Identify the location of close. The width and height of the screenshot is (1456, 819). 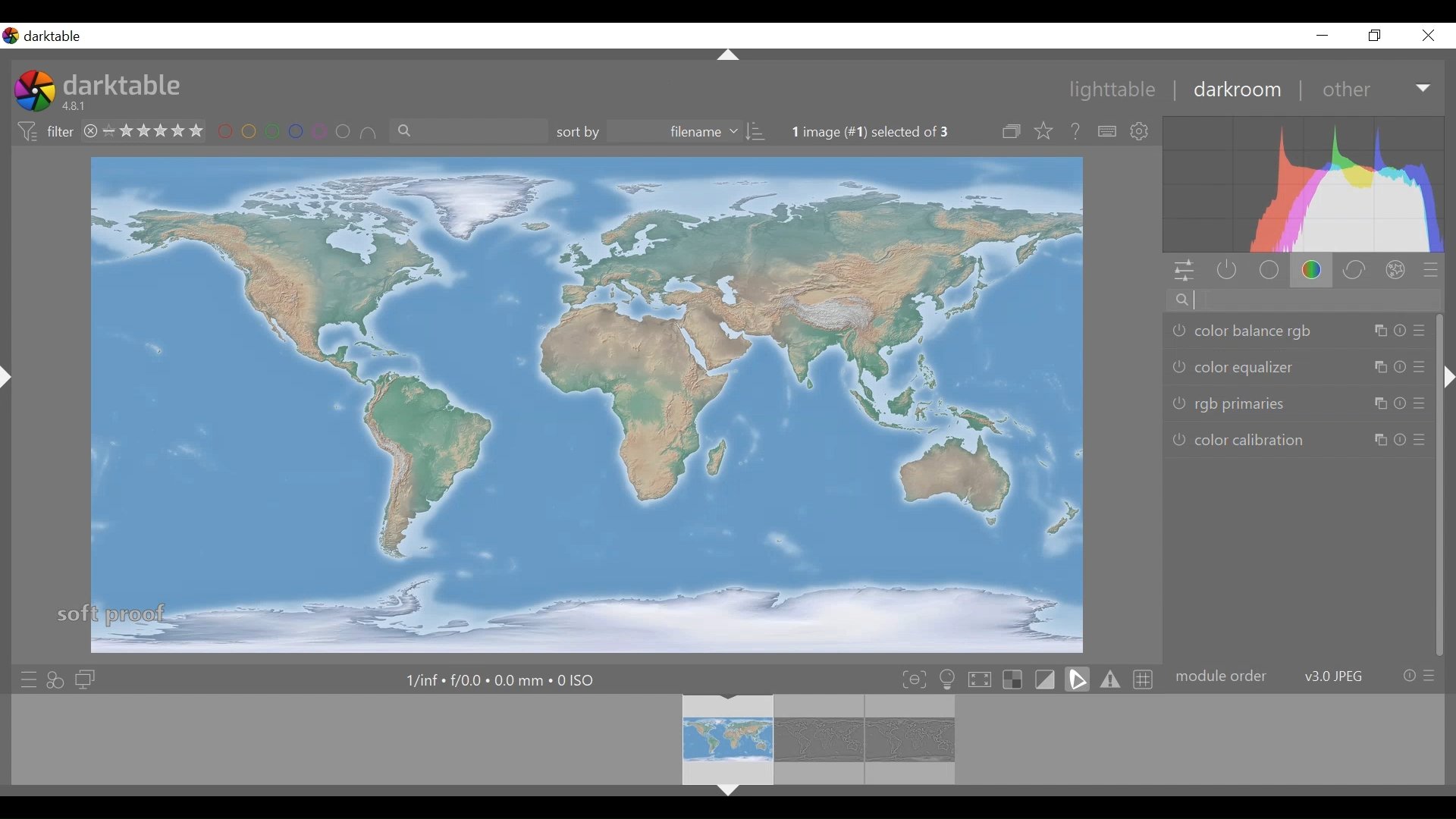
(1431, 36).